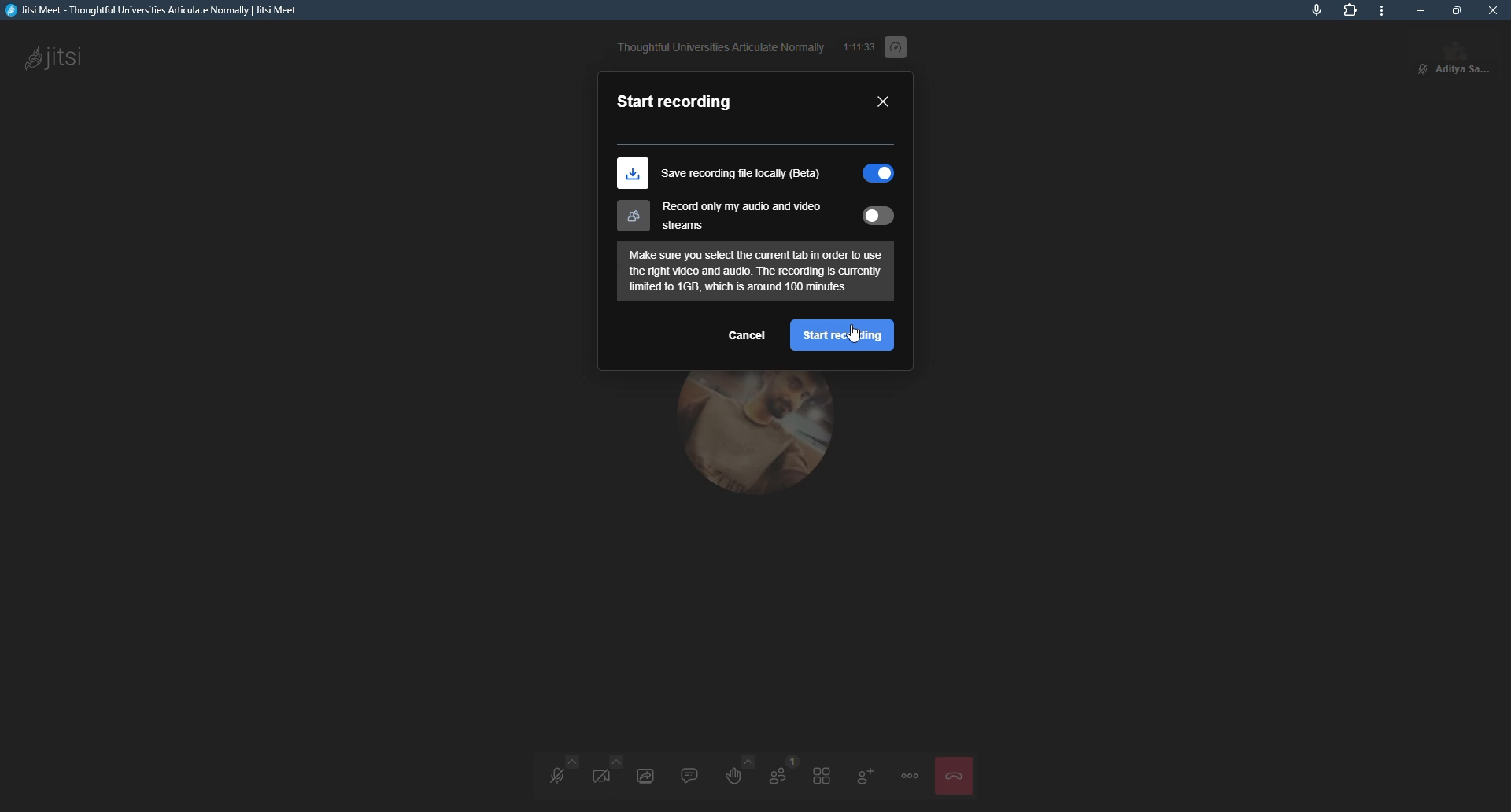 This screenshot has height=812, width=1511. What do you see at coordinates (692, 773) in the screenshot?
I see `open chat` at bounding box center [692, 773].